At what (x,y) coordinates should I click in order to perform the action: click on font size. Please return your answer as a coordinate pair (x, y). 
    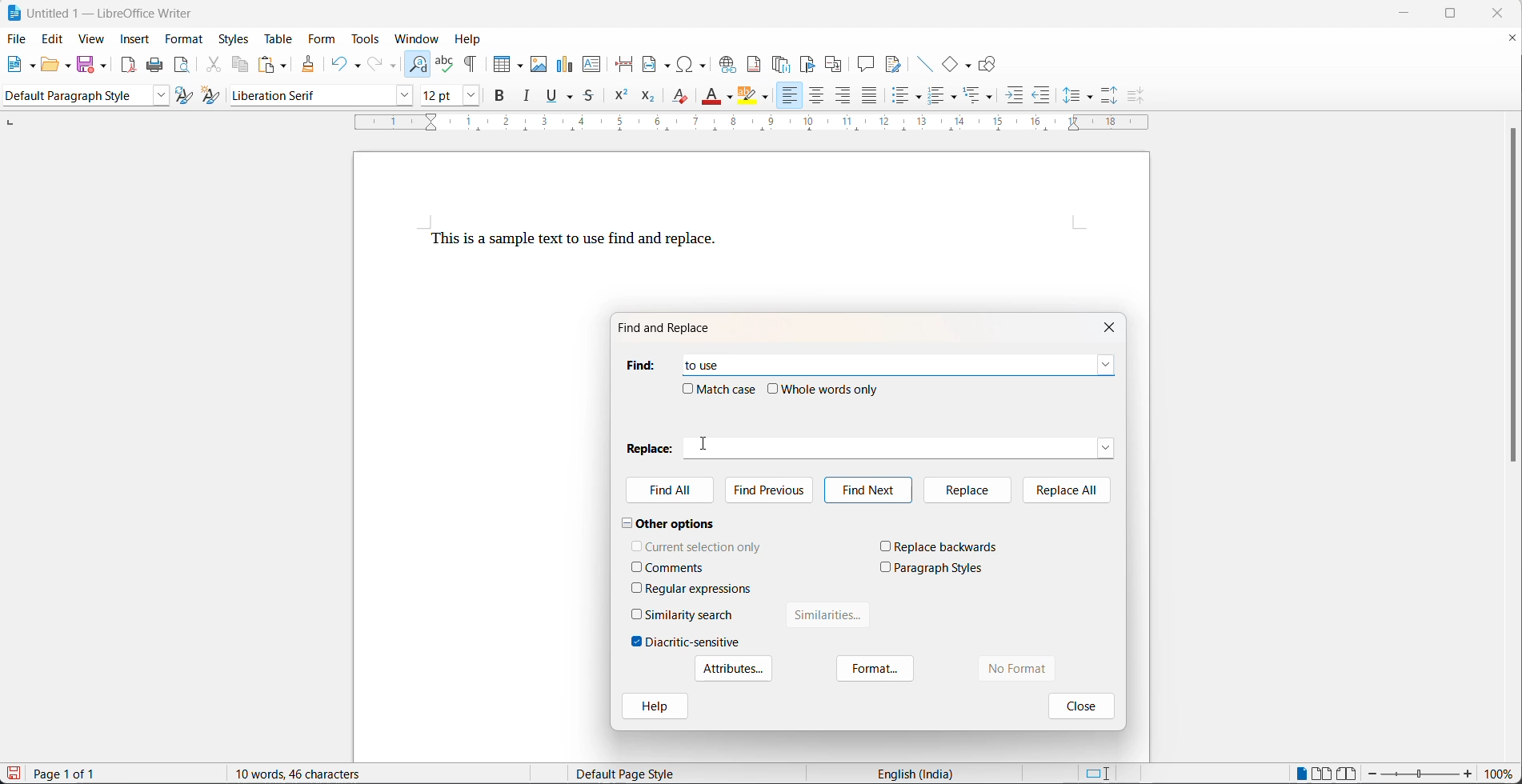
    Looking at the image, I should click on (436, 98).